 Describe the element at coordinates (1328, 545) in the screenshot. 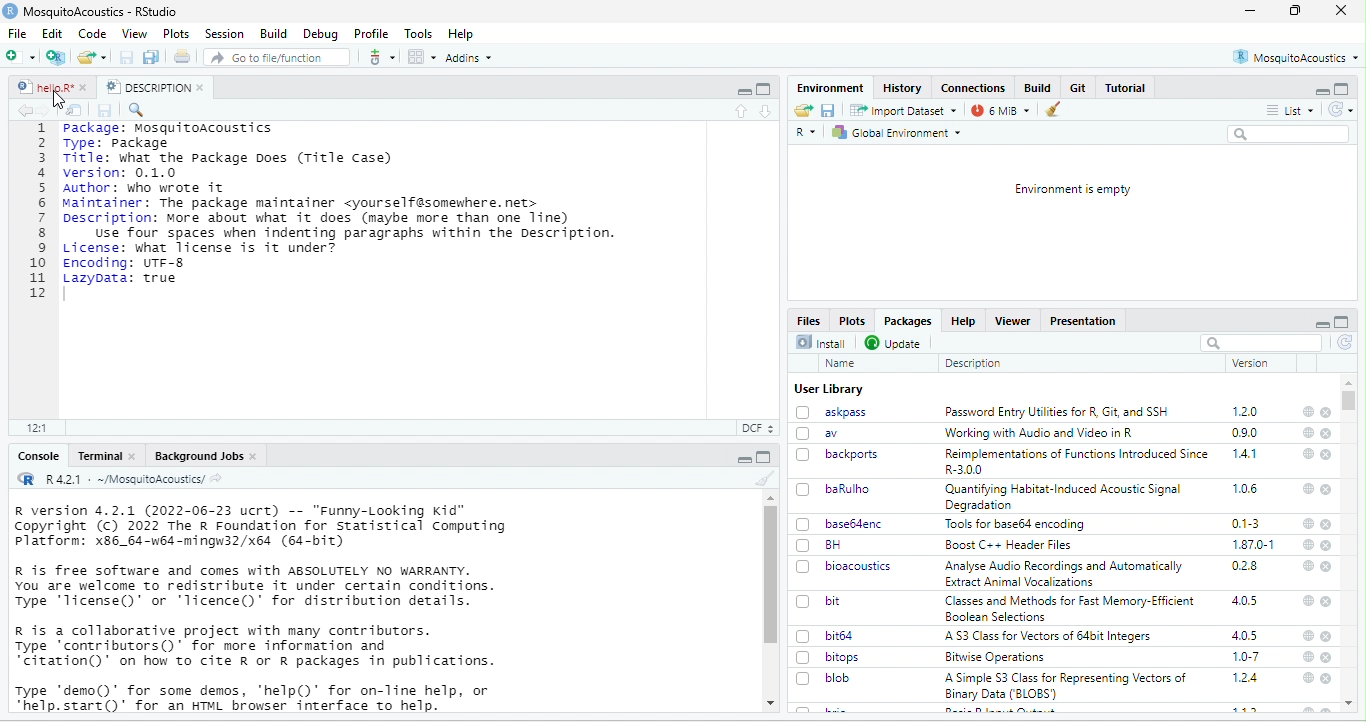

I see `close` at that location.